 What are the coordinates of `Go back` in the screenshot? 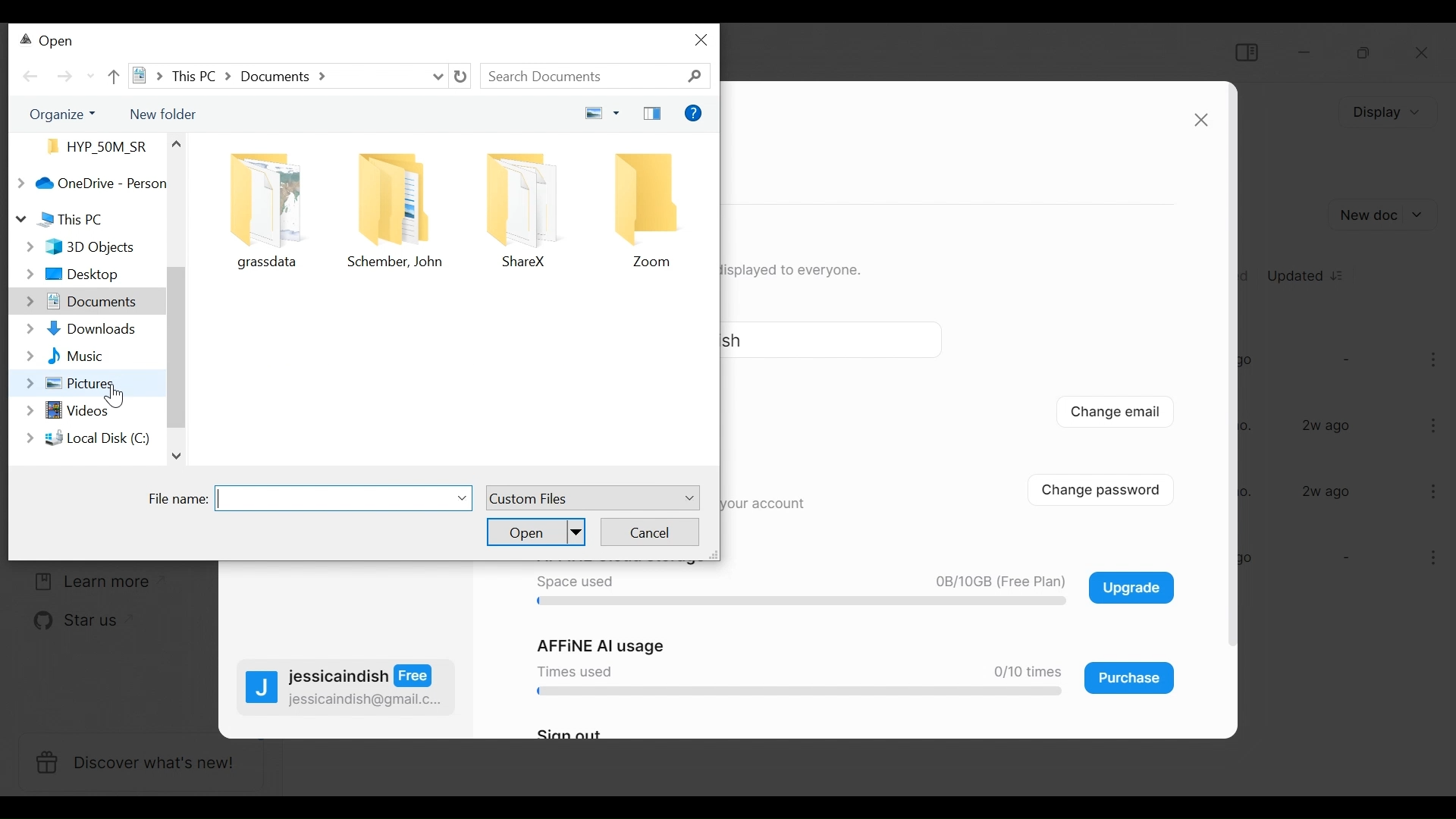 It's located at (31, 77).